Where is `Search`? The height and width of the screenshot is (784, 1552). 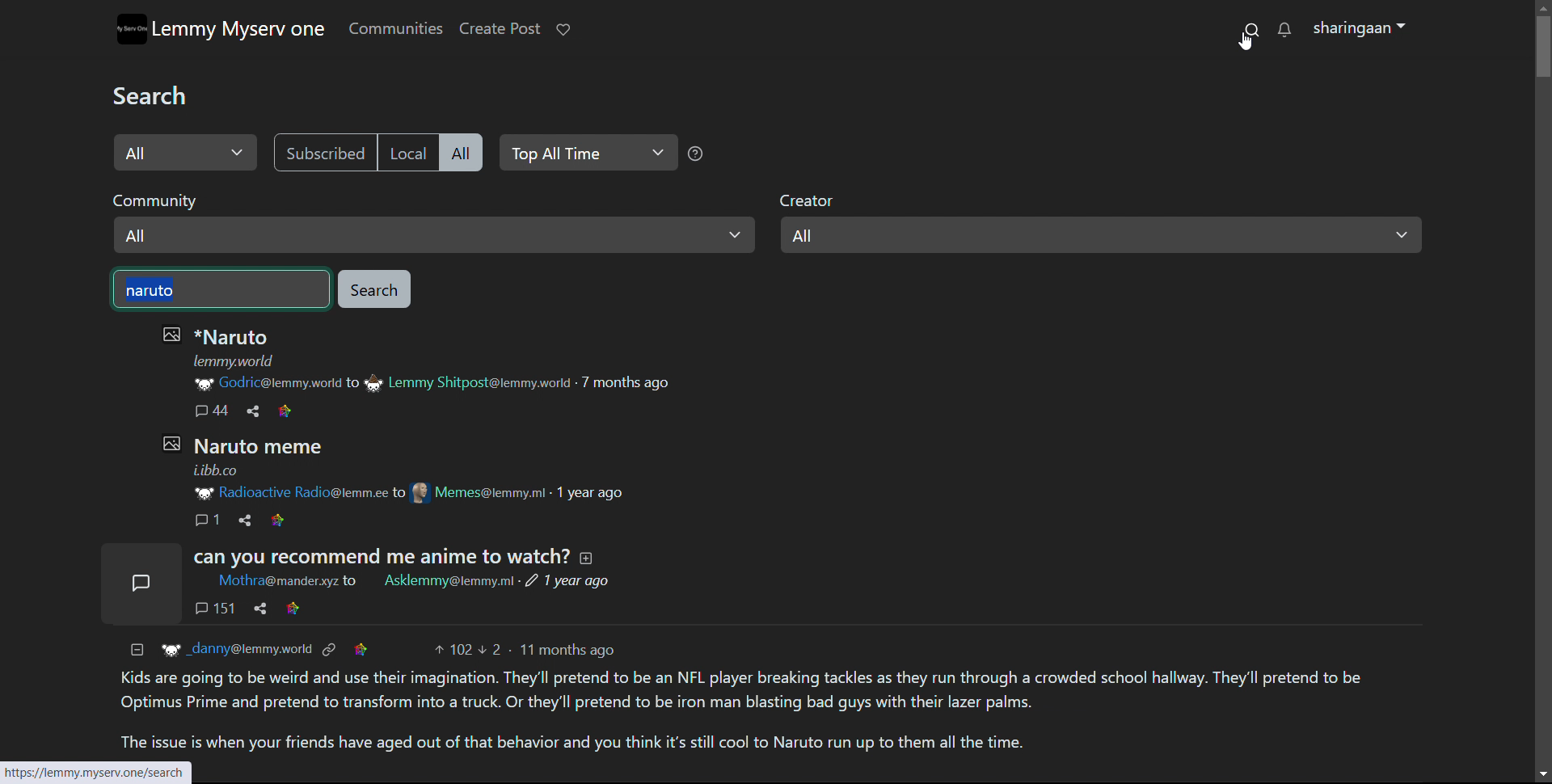
Search is located at coordinates (160, 95).